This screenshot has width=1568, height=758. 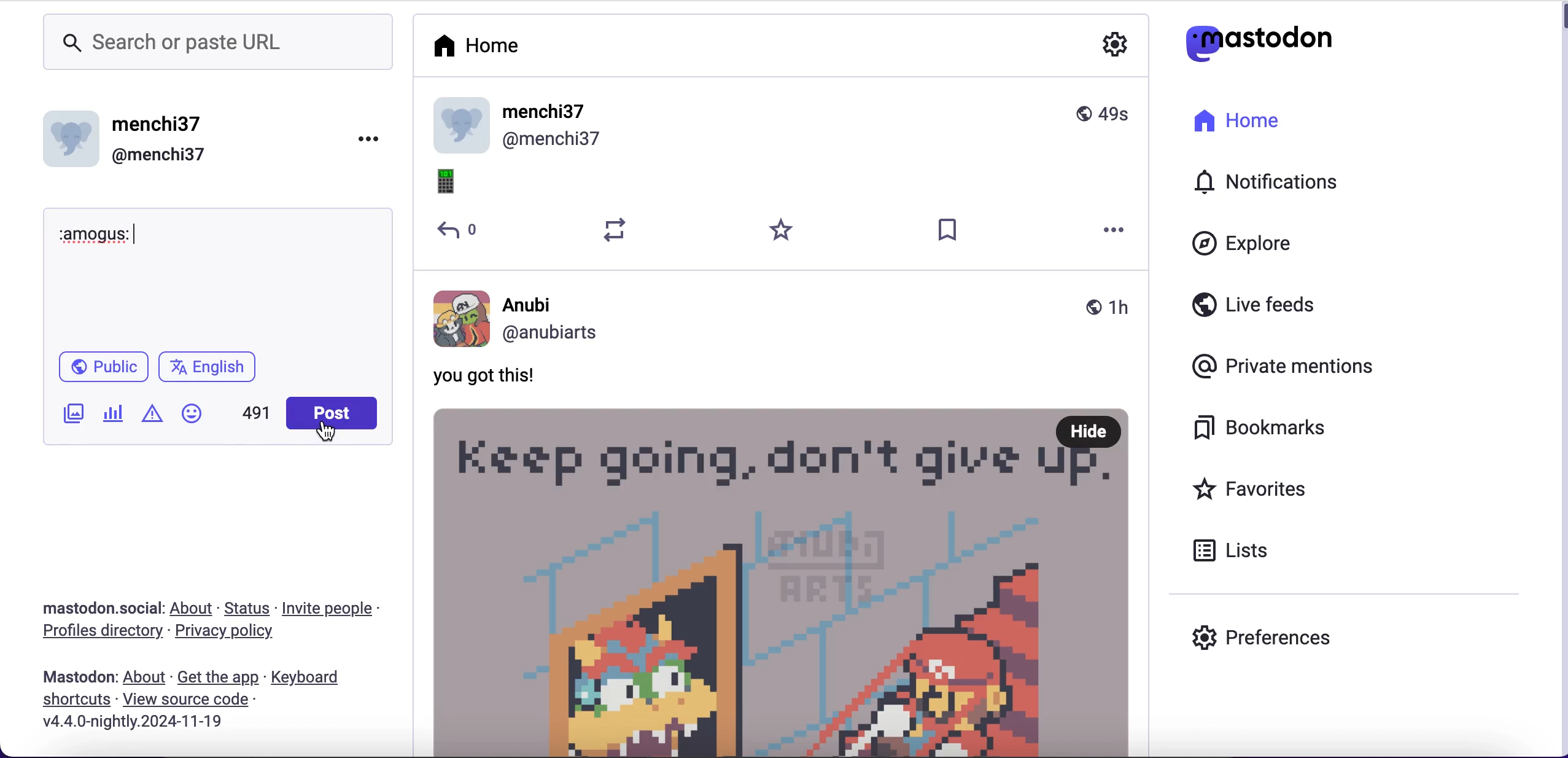 What do you see at coordinates (330, 408) in the screenshot?
I see `post` at bounding box center [330, 408].